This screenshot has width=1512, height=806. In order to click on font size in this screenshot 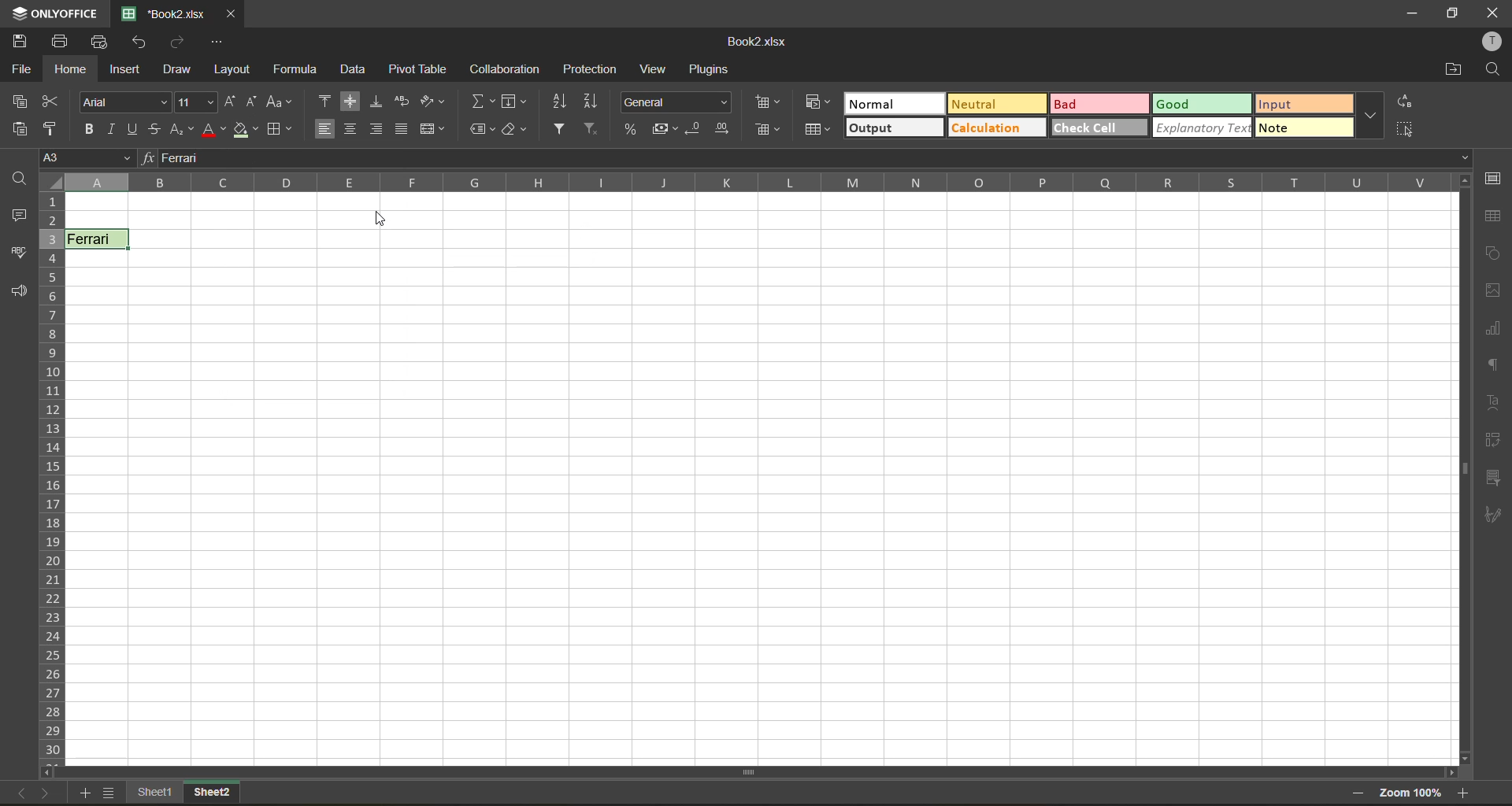, I will do `click(195, 103)`.